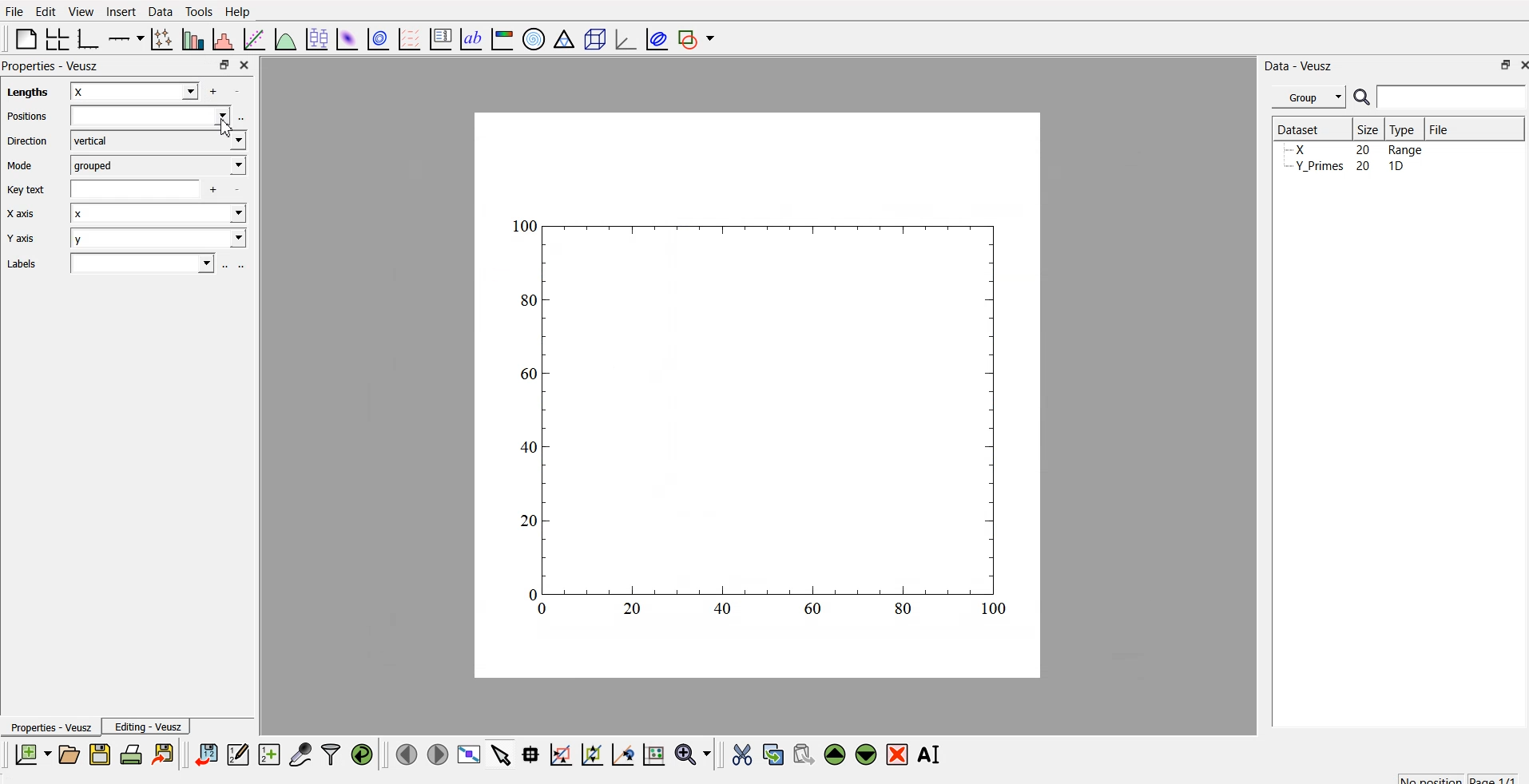  What do you see at coordinates (772, 754) in the screenshot?
I see `copy the widget` at bounding box center [772, 754].